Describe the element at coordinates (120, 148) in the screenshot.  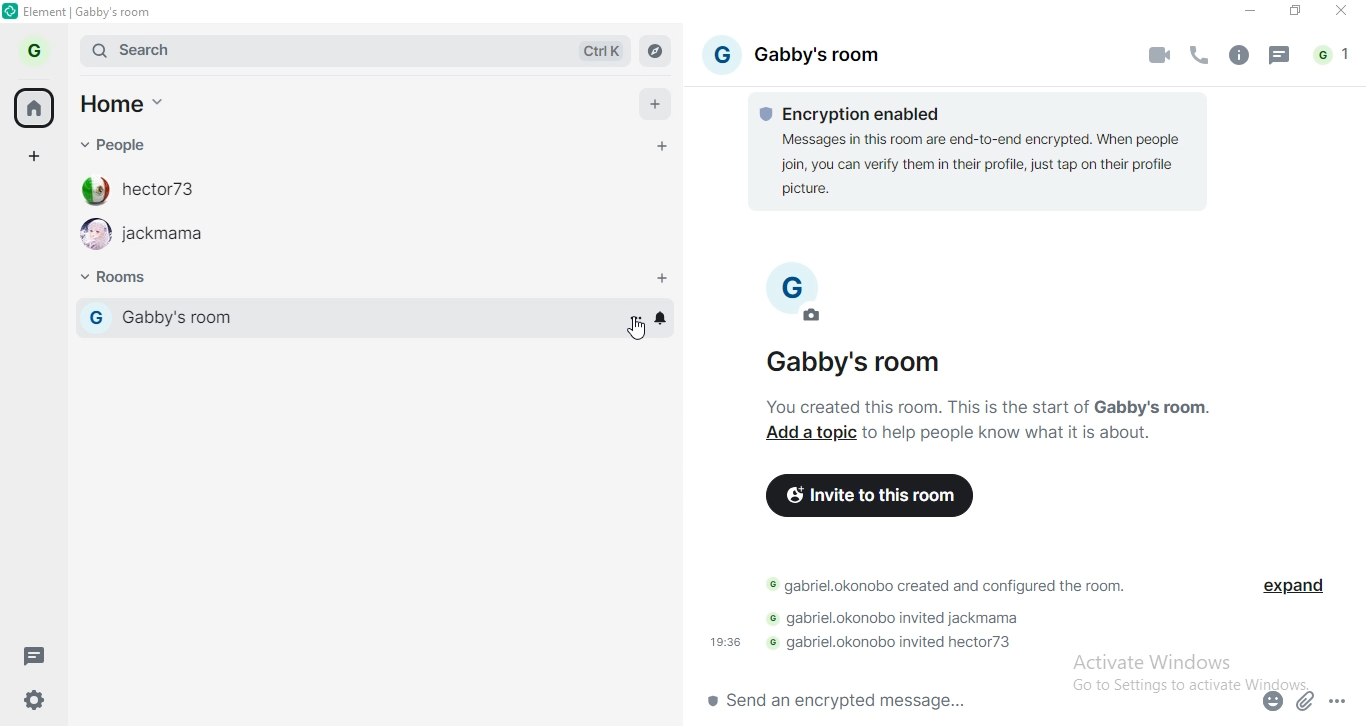
I see `people` at that location.